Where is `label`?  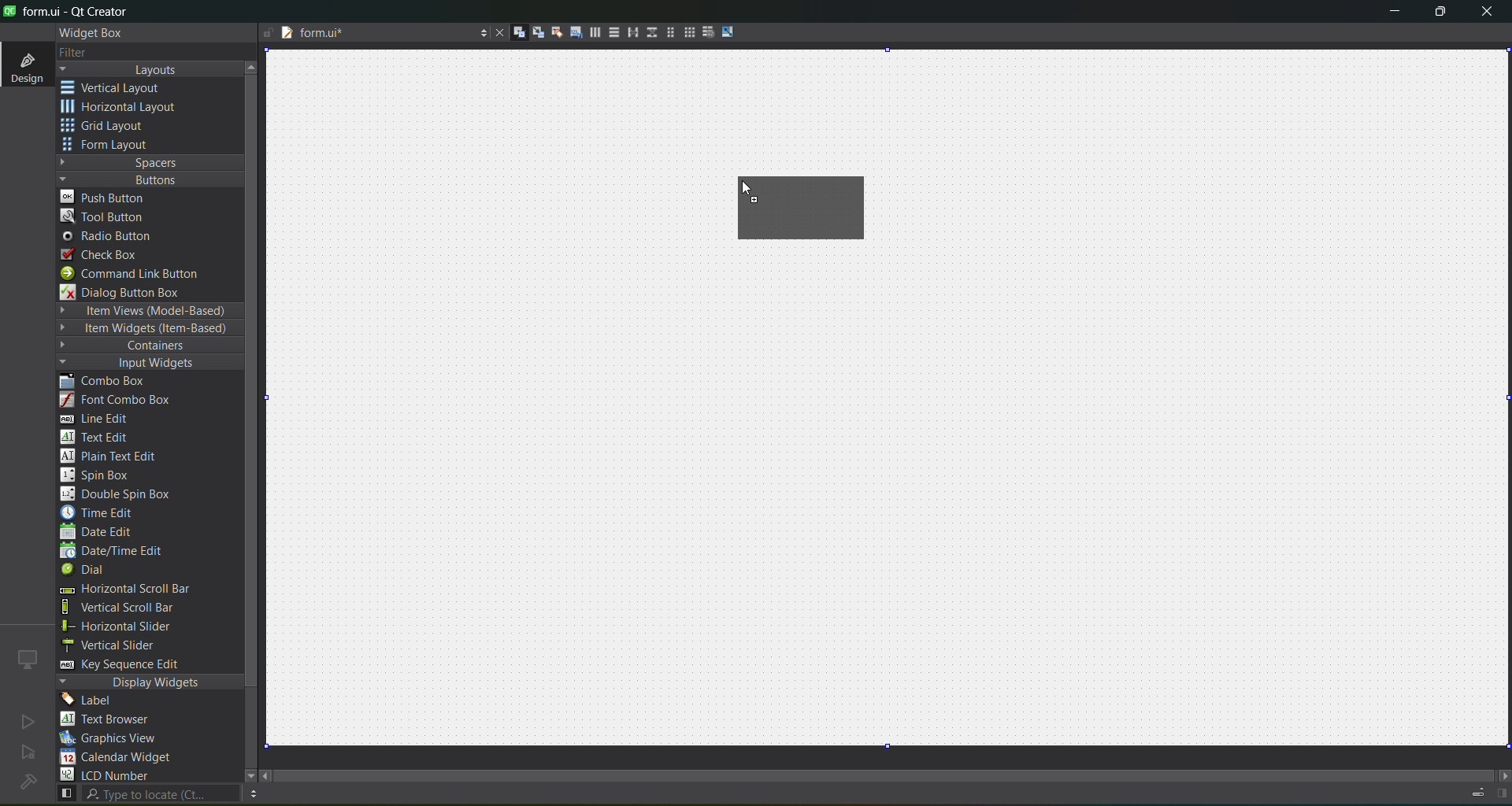 label is located at coordinates (91, 701).